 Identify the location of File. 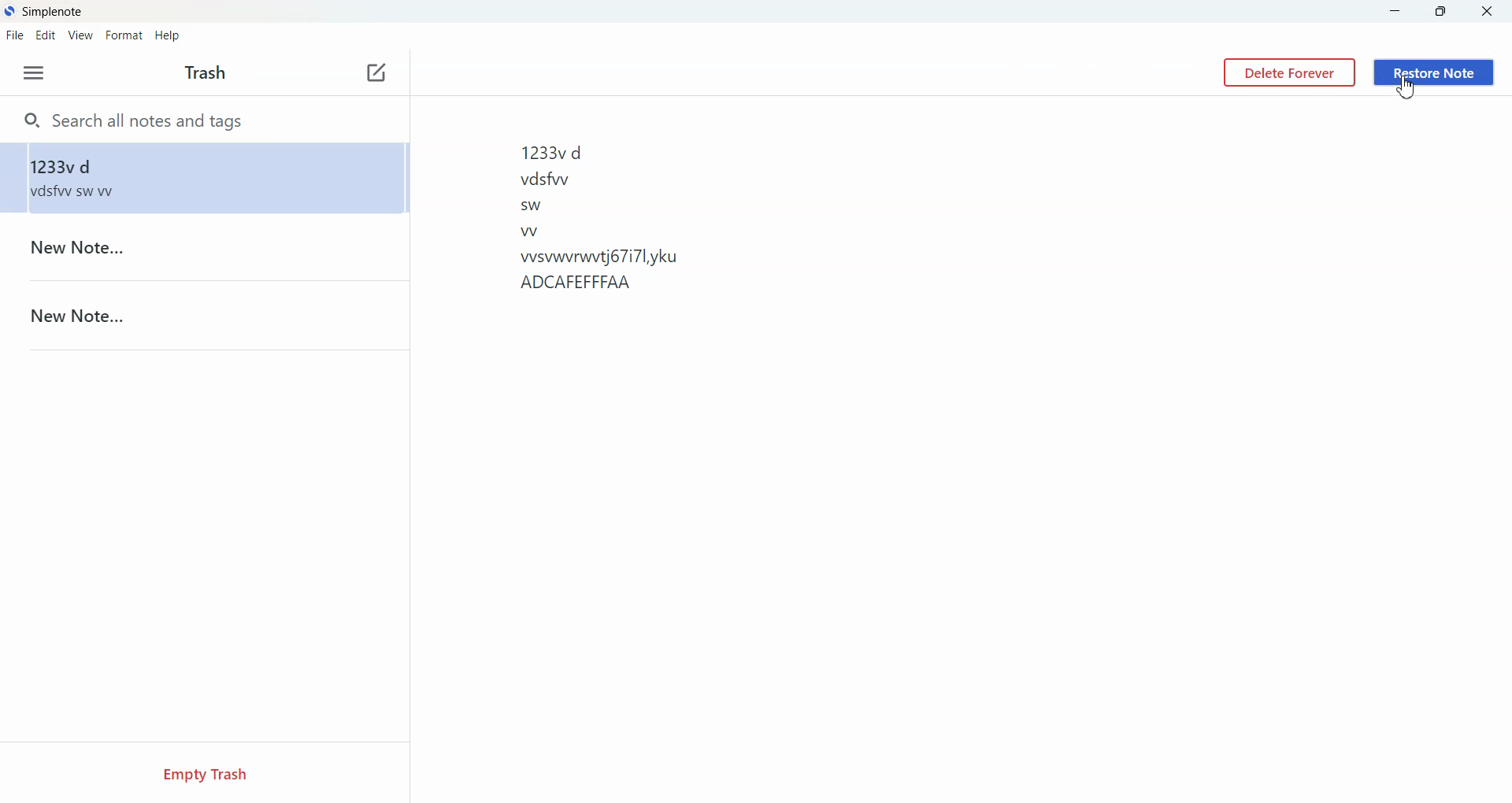
(17, 35).